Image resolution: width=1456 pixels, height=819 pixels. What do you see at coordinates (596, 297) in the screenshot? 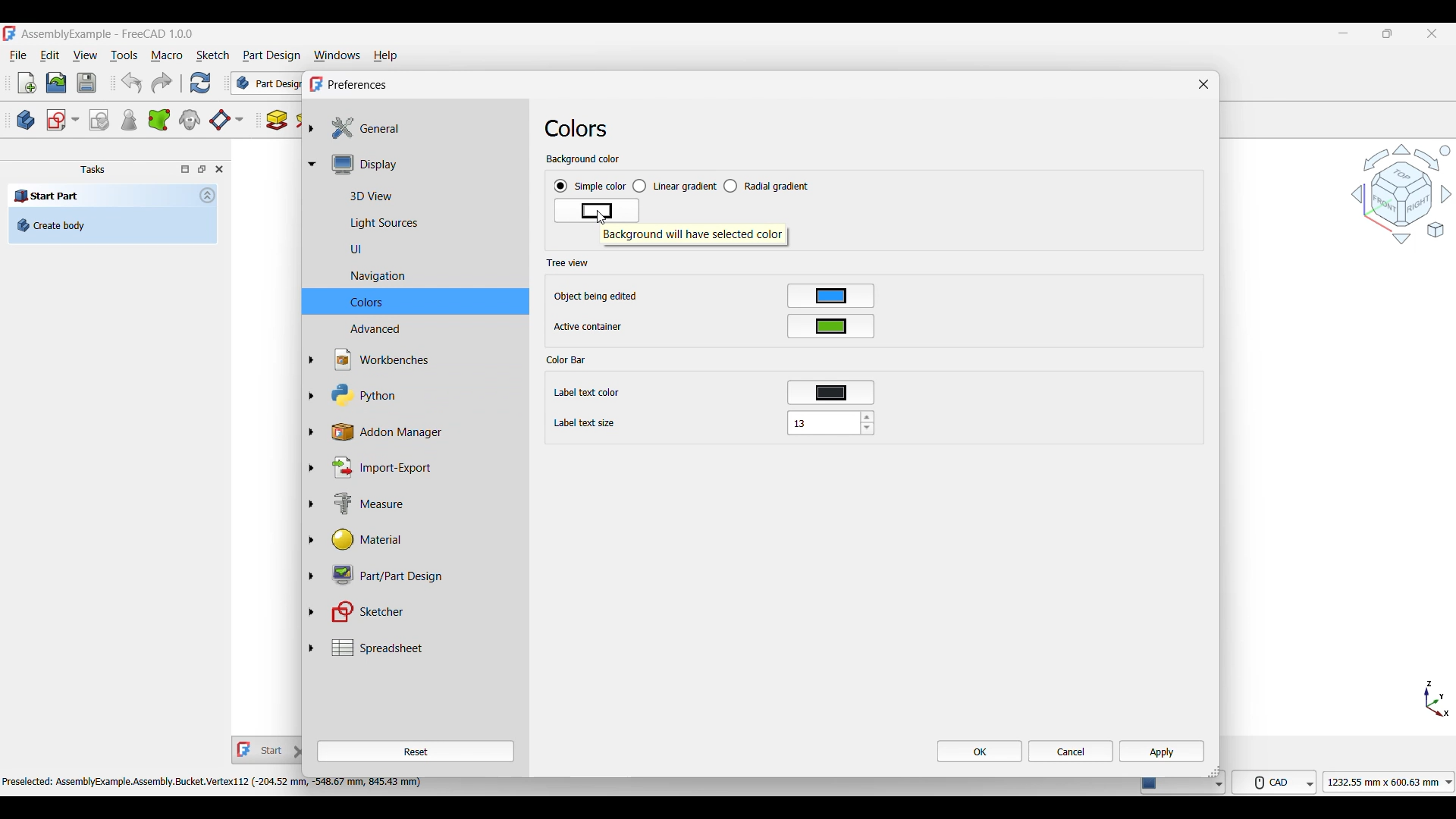
I see `object being edited` at bounding box center [596, 297].